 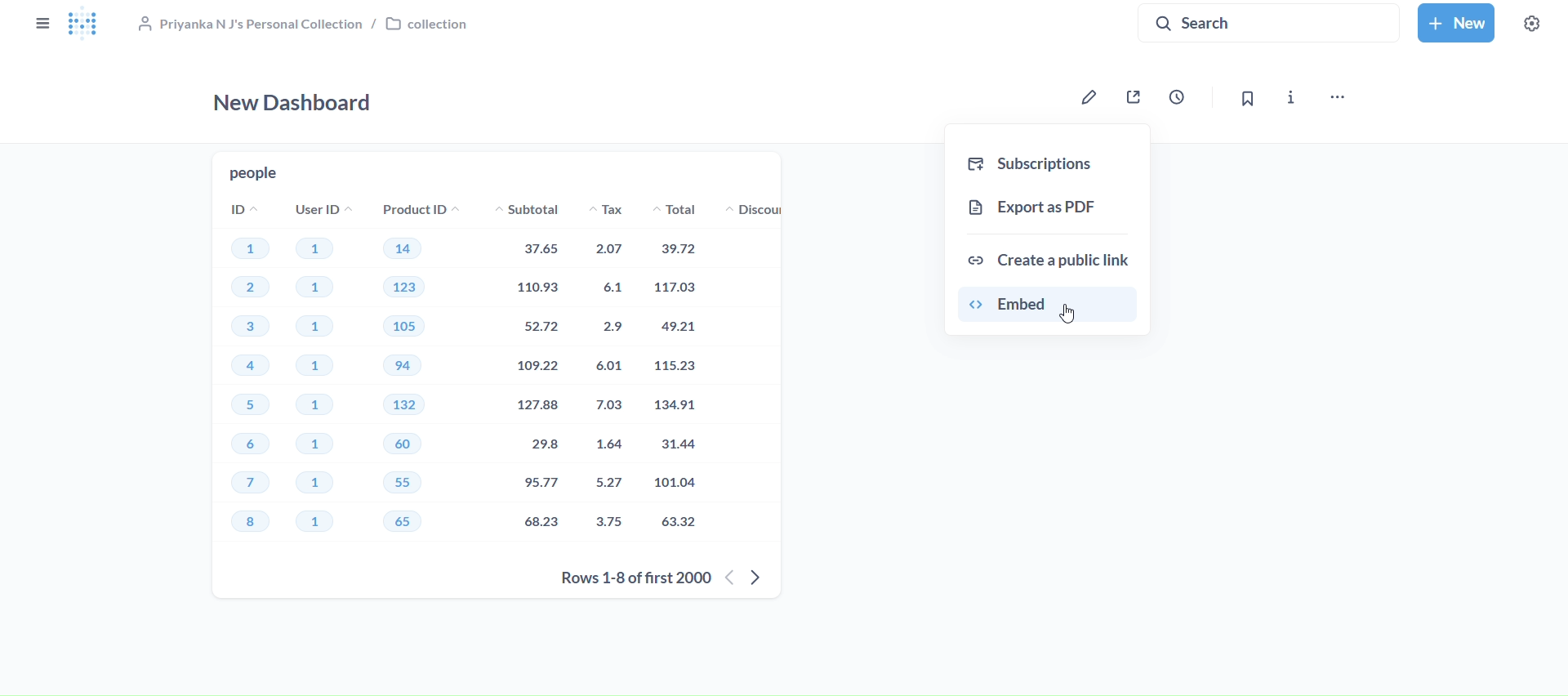 What do you see at coordinates (1047, 305) in the screenshot?
I see `embed` at bounding box center [1047, 305].